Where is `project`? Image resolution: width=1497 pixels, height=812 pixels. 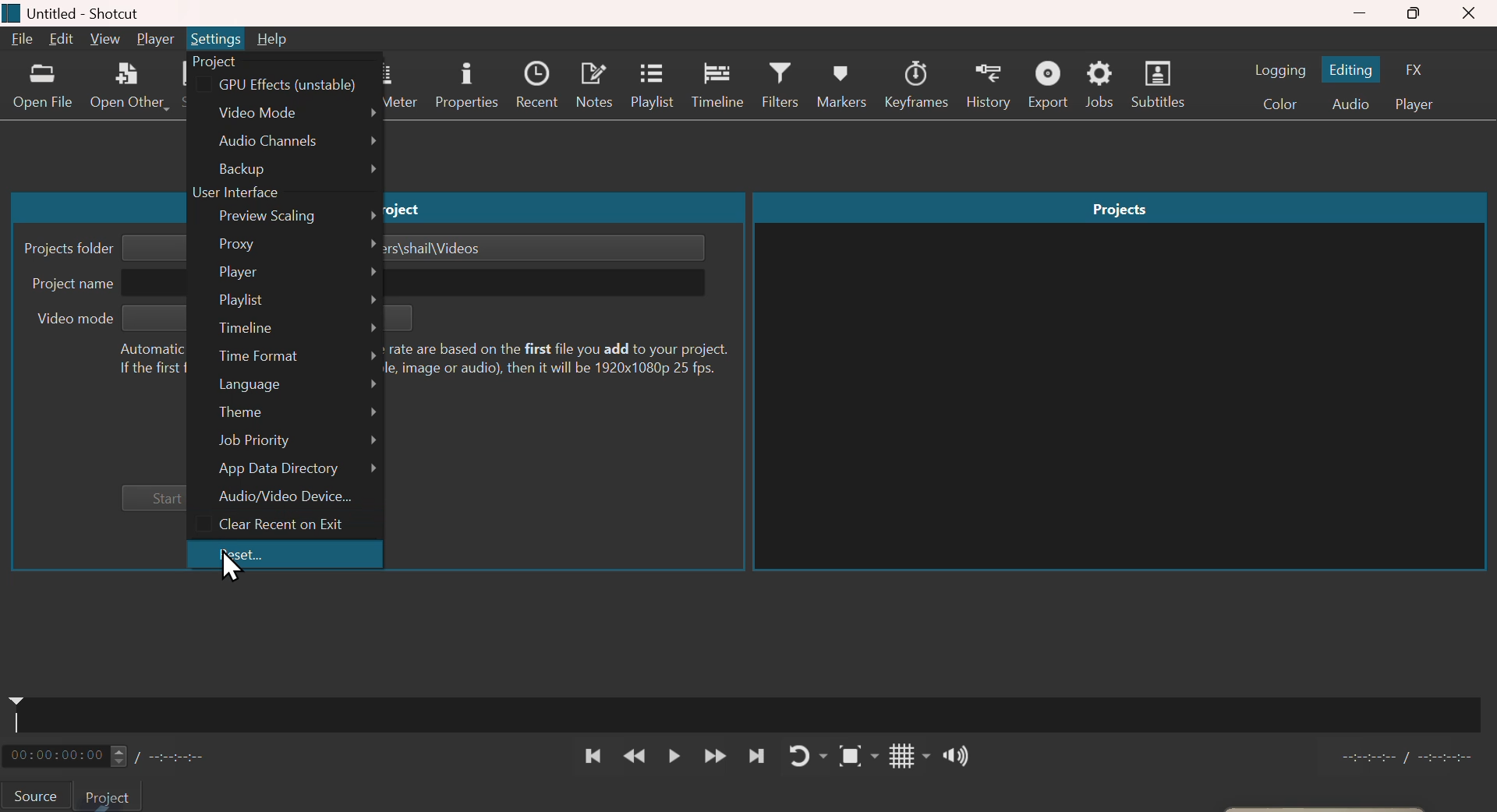 project is located at coordinates (115, 796).